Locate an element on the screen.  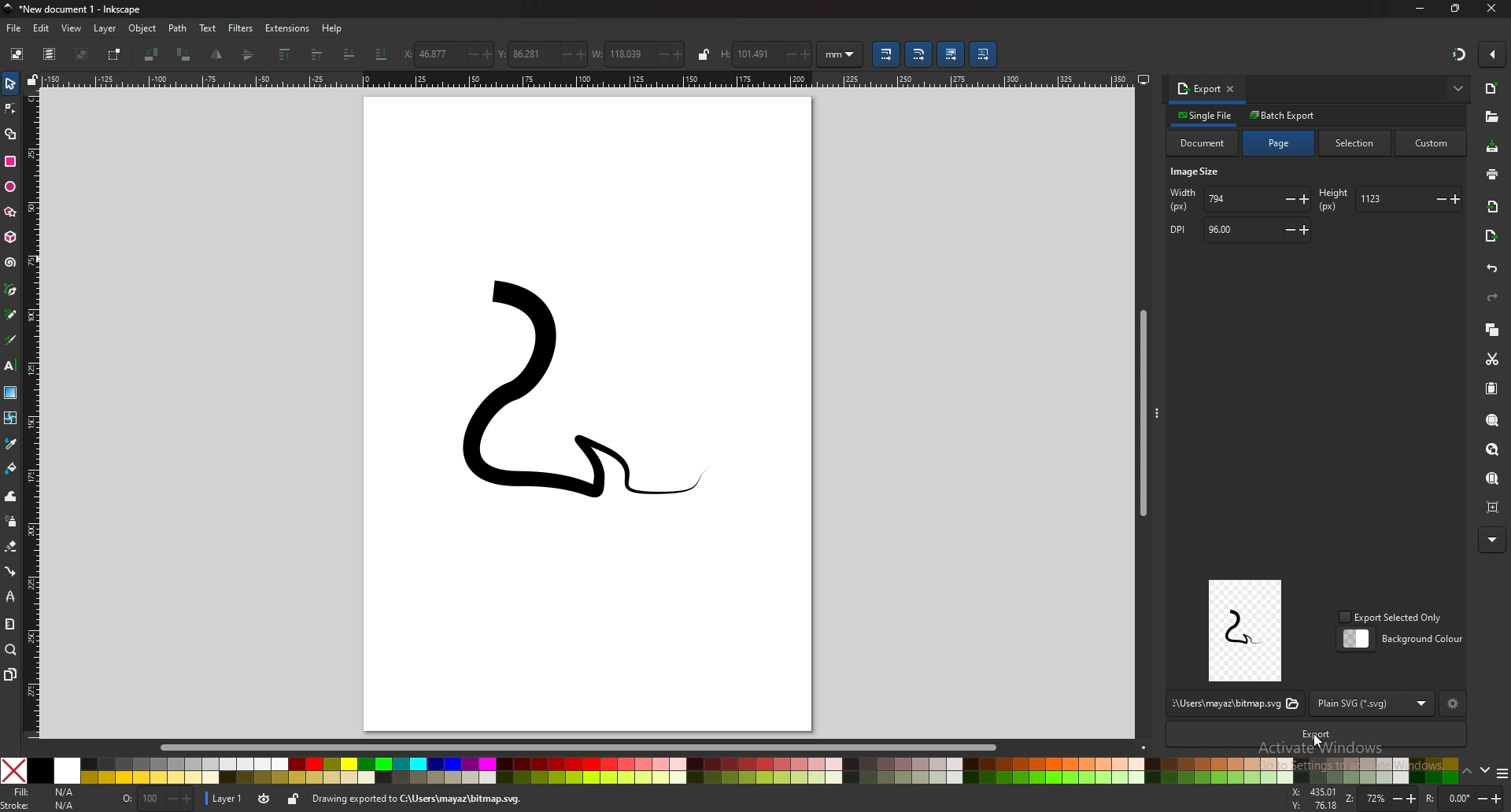
new is located at coordinates (1491, 88).